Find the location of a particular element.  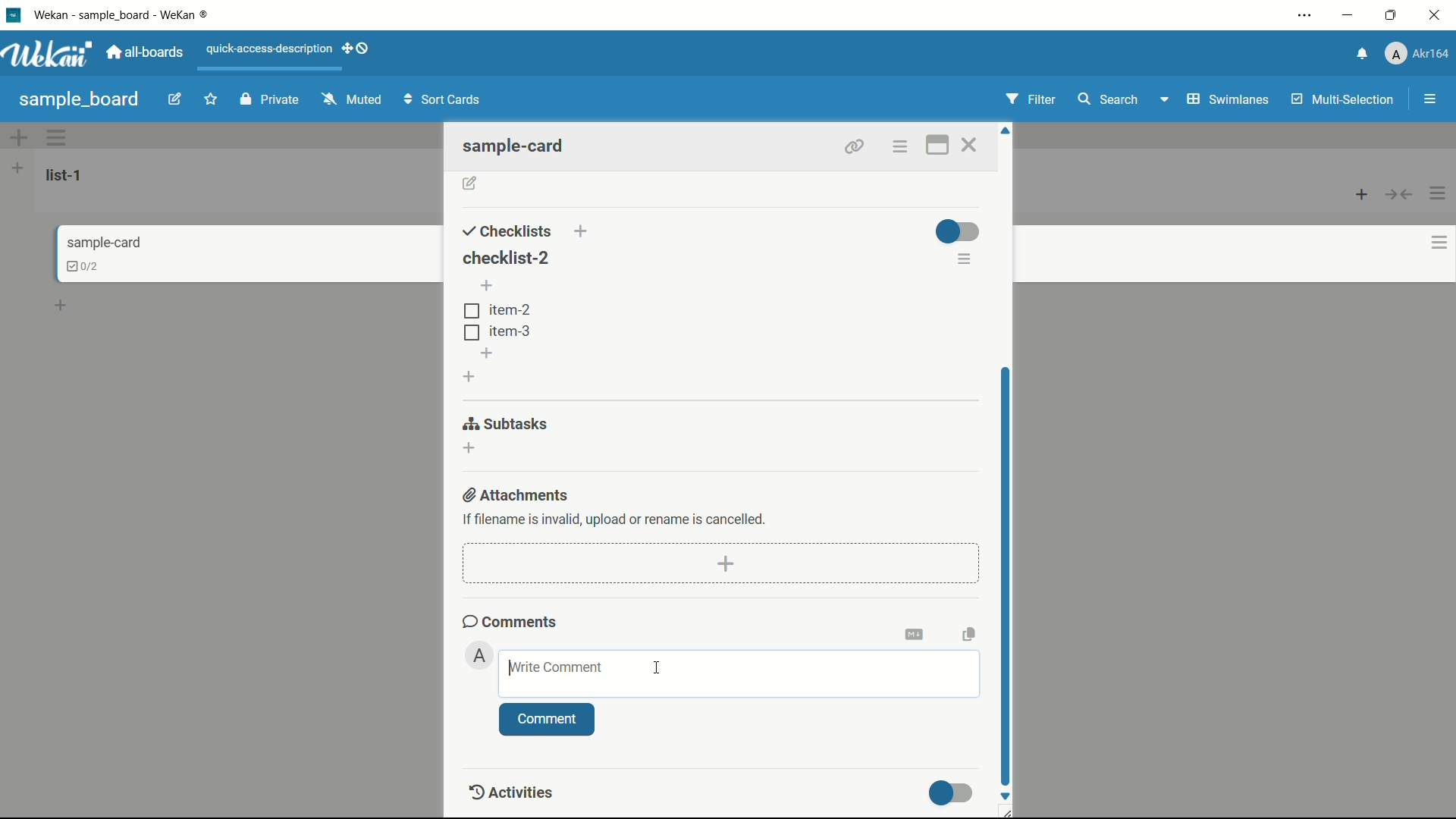

show-desktop-drag-handles is located at coordinates (357, 50).